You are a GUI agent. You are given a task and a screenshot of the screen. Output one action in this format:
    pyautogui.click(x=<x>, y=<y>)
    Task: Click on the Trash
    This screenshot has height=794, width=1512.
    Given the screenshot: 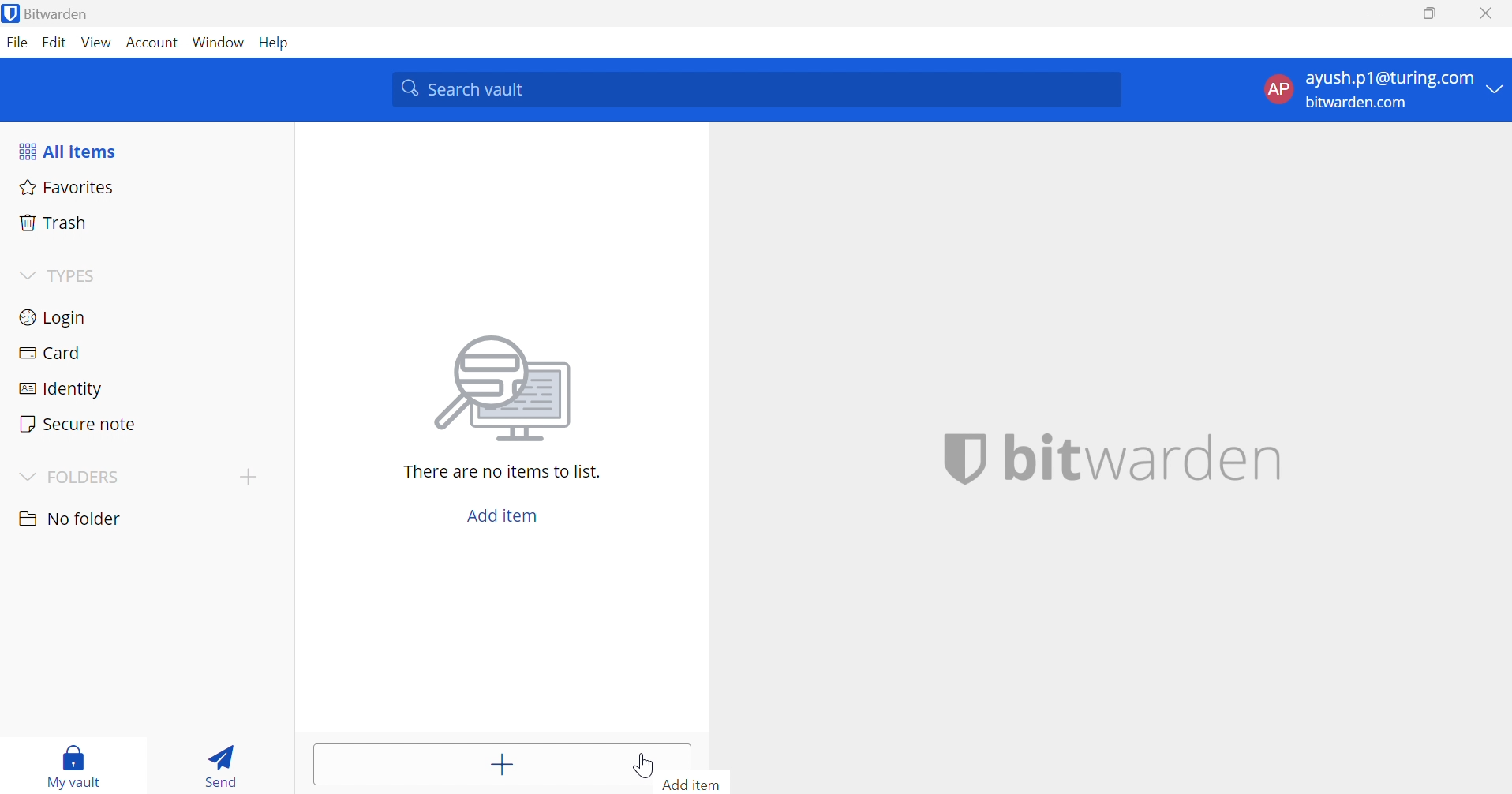 What is the action you would take?
    pyautogui.click(x=54, y=223)
    